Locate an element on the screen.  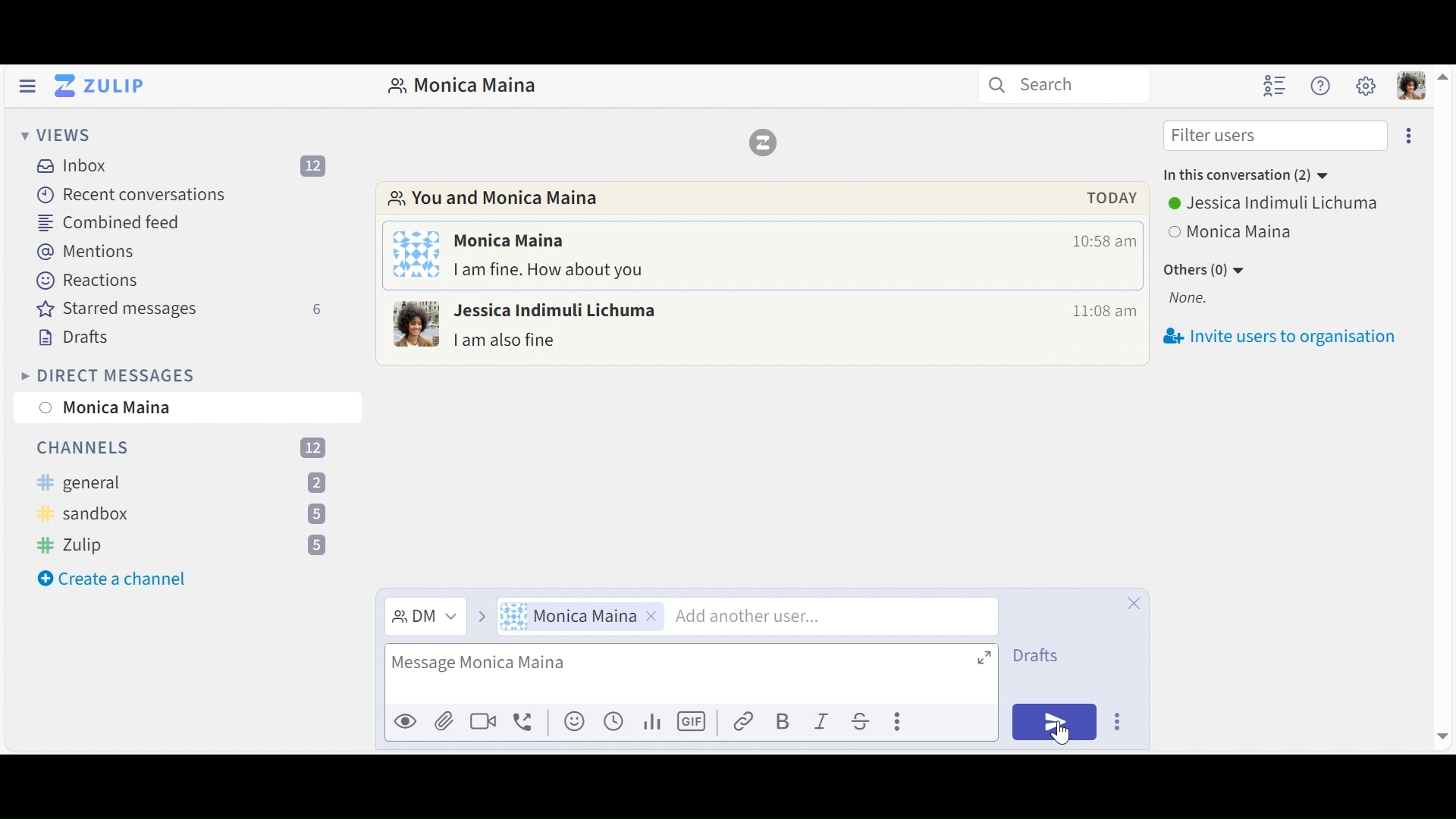
Upload file is located at coordinates (447, 718).